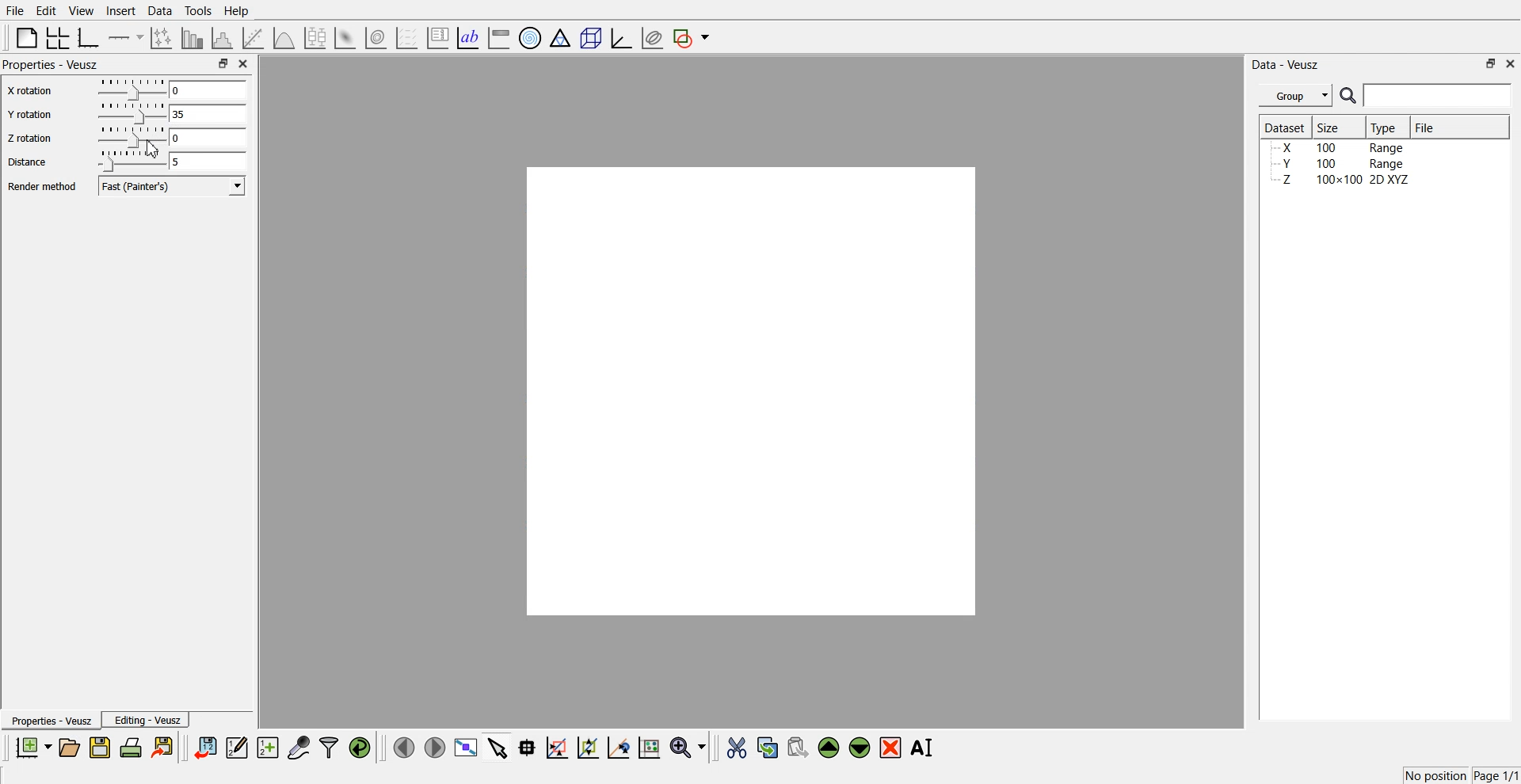 This screenshot has height=784, width=1521. I want to click on Y 100 Range, so click(1341, 164).